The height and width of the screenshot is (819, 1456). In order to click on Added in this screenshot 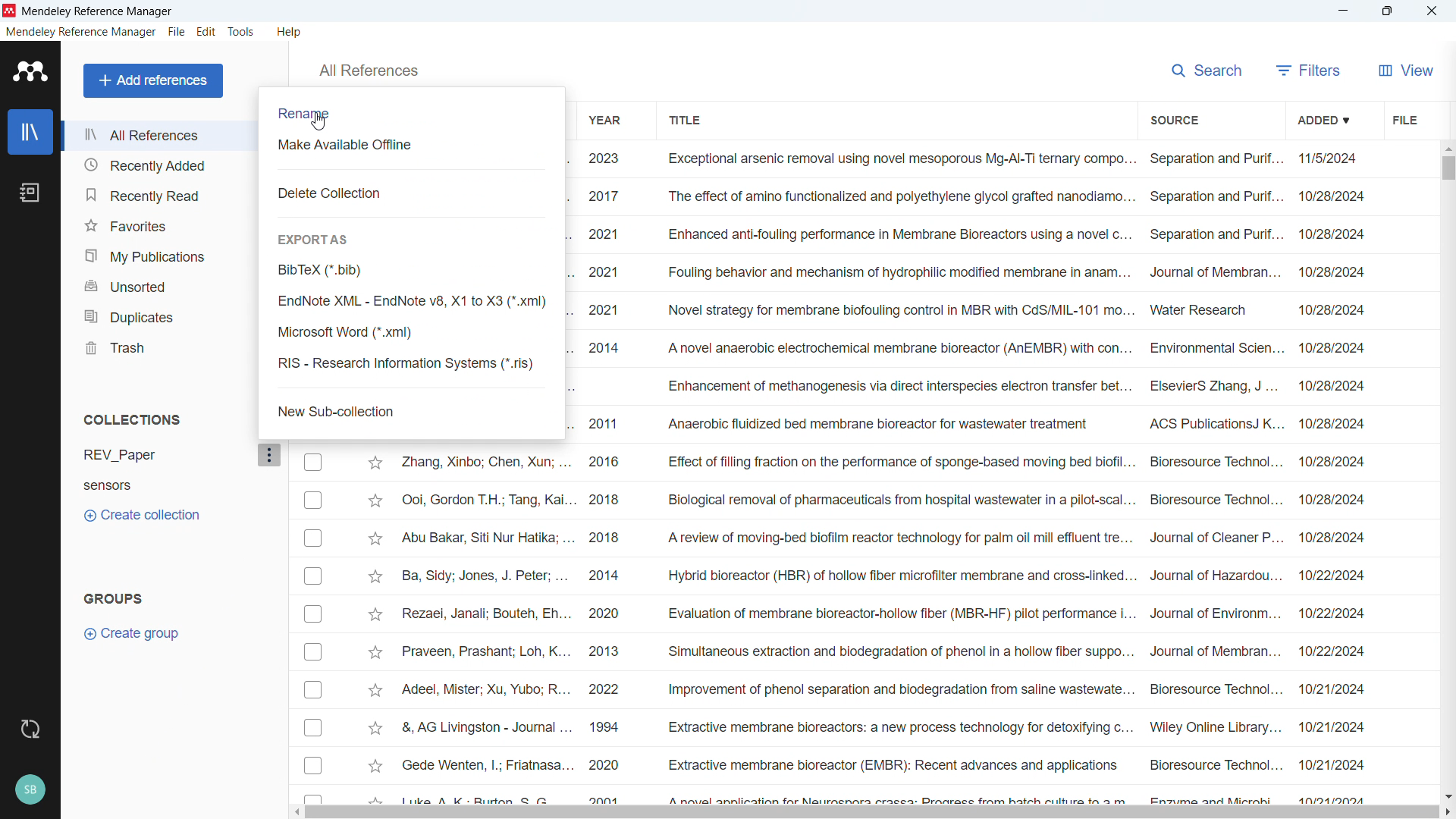, I will do `click(1326, 118)`.